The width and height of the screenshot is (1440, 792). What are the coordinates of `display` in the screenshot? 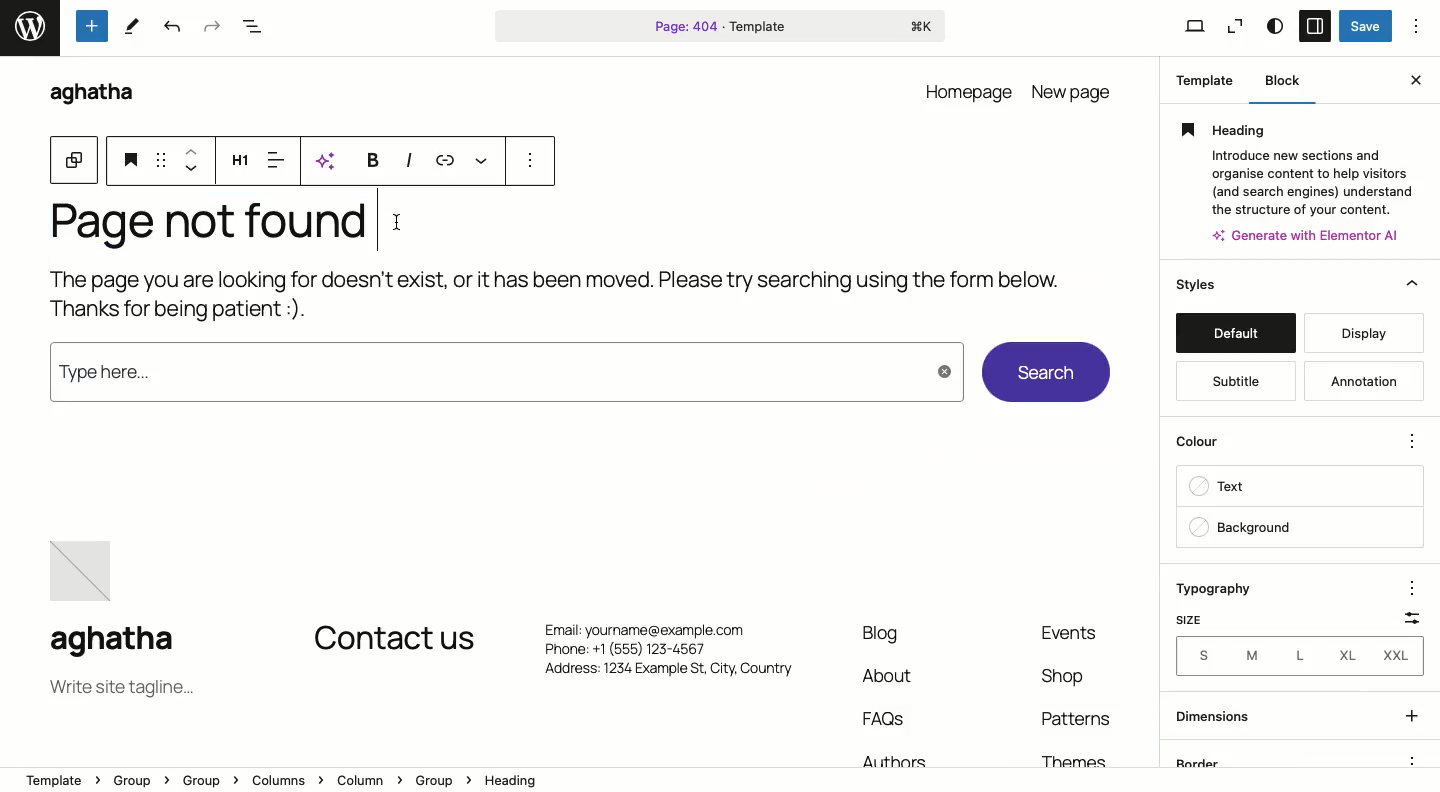 It's located at (1370, 330).